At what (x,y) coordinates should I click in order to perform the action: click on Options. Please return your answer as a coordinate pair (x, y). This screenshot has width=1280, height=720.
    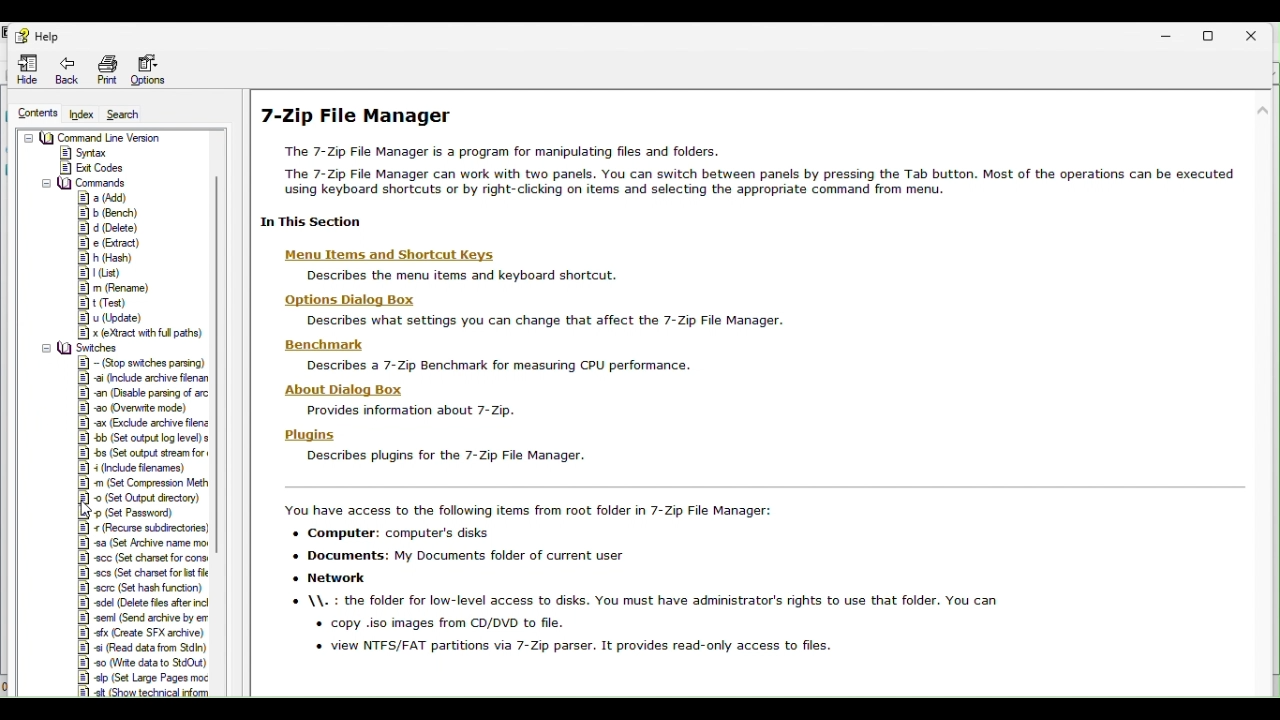
    Looking at the image, I should click on (151, 70).